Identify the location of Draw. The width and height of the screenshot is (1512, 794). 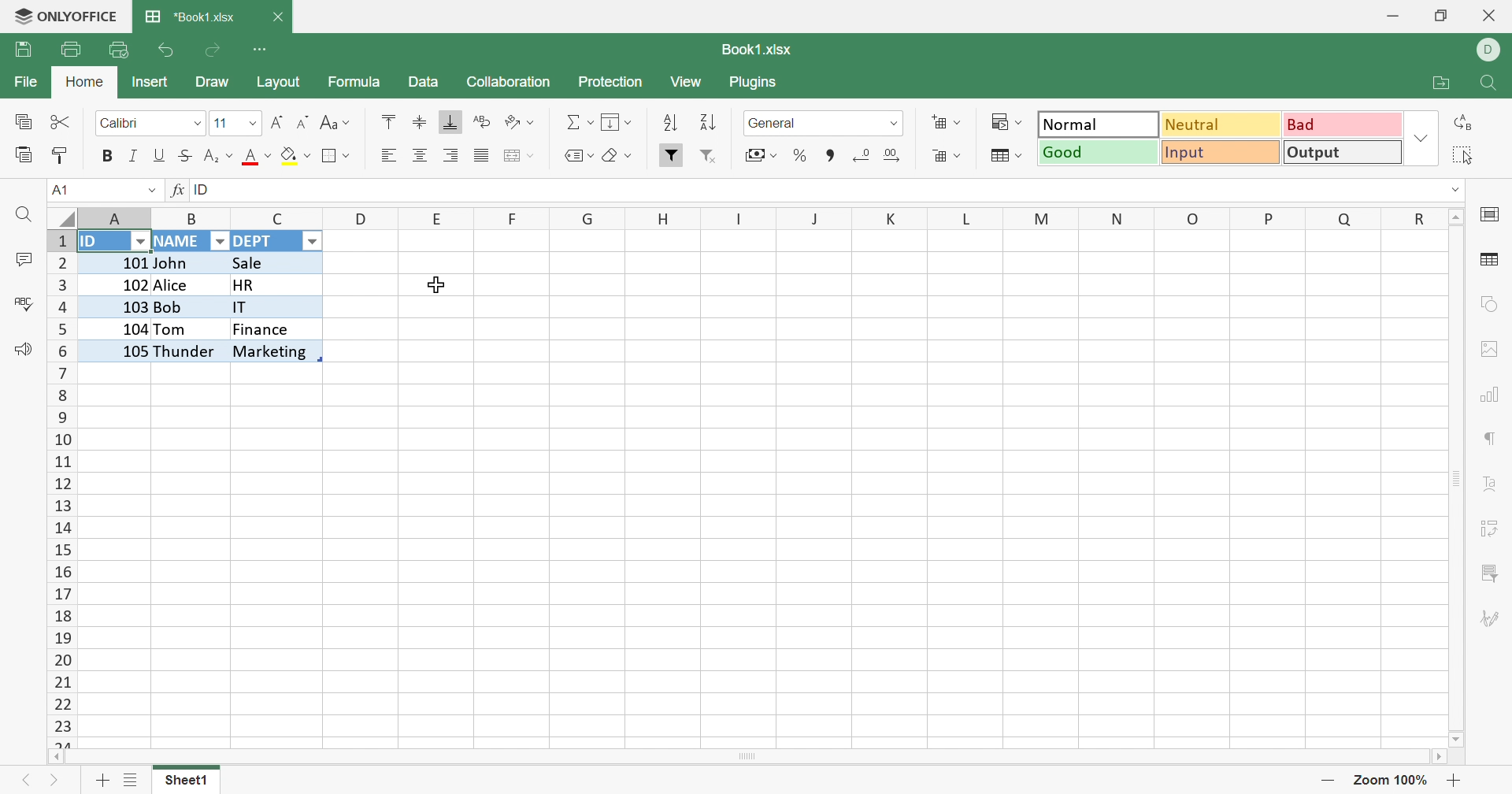
(213, 82).